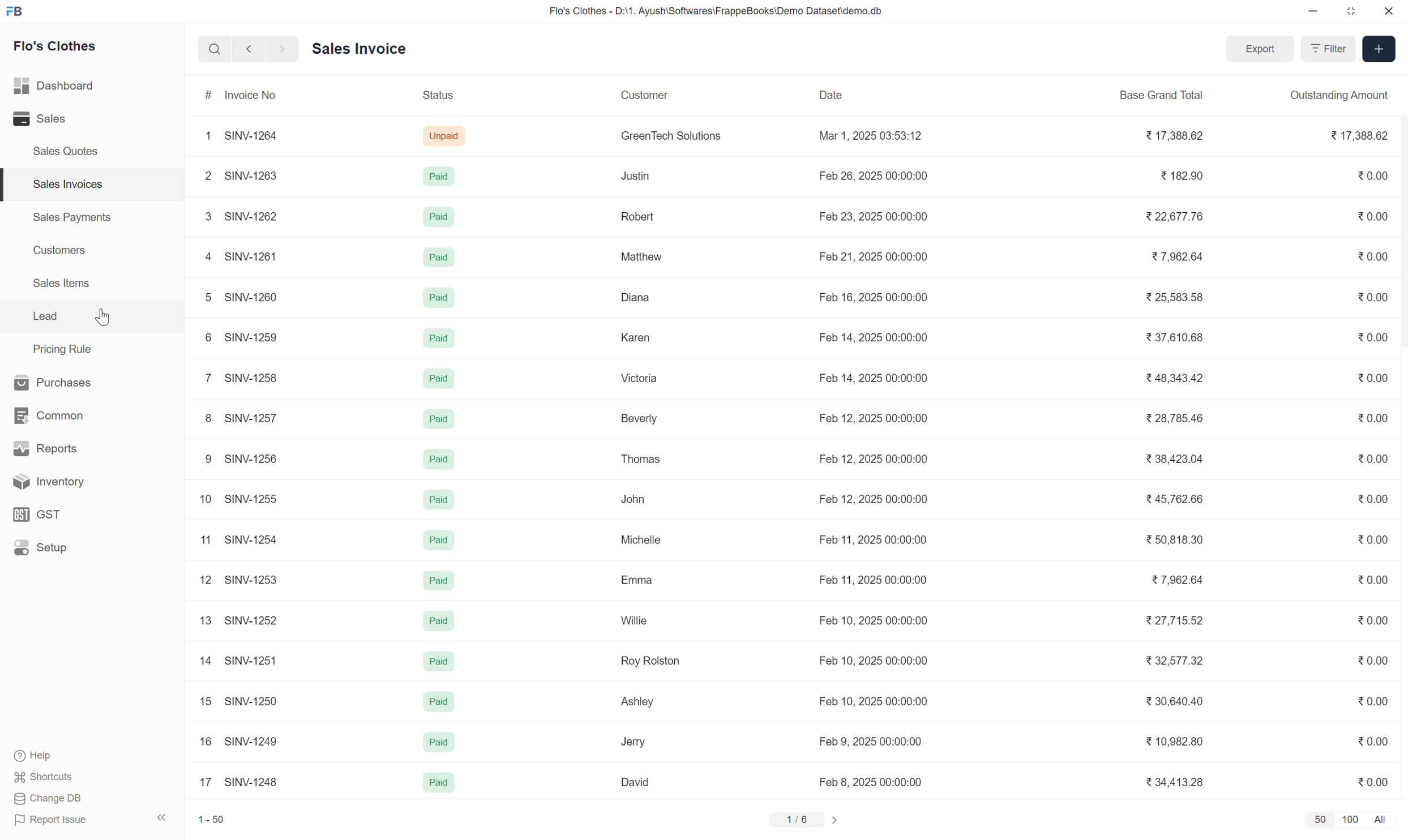 This screenshot has height=840, width=1408. What do you see at coordinates (255, 255) in the screenshot?
I see `SINV-1261` at bounding box center [255, 255].